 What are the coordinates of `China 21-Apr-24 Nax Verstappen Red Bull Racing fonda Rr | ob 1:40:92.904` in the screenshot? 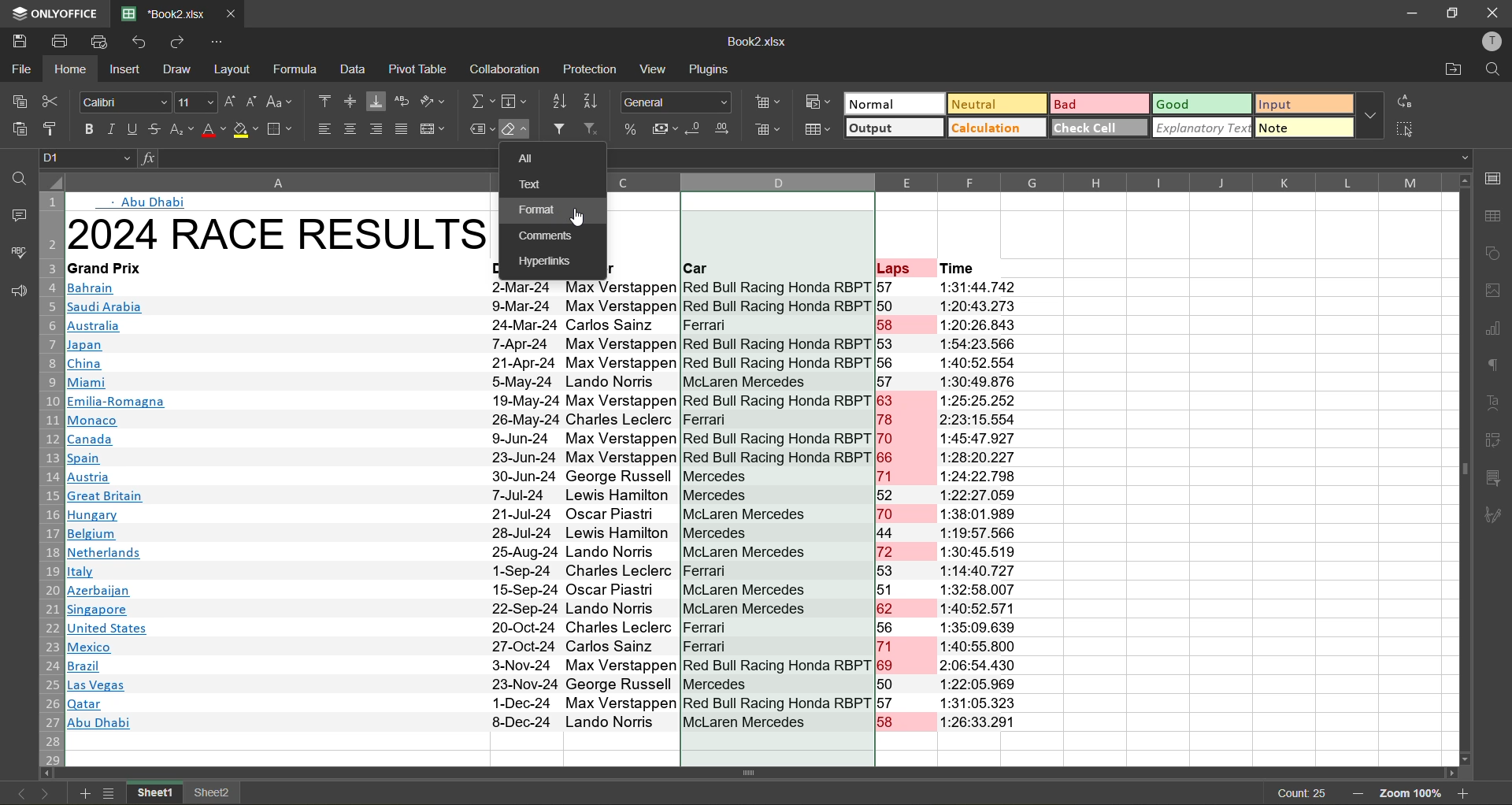 It's located at (545, 364).